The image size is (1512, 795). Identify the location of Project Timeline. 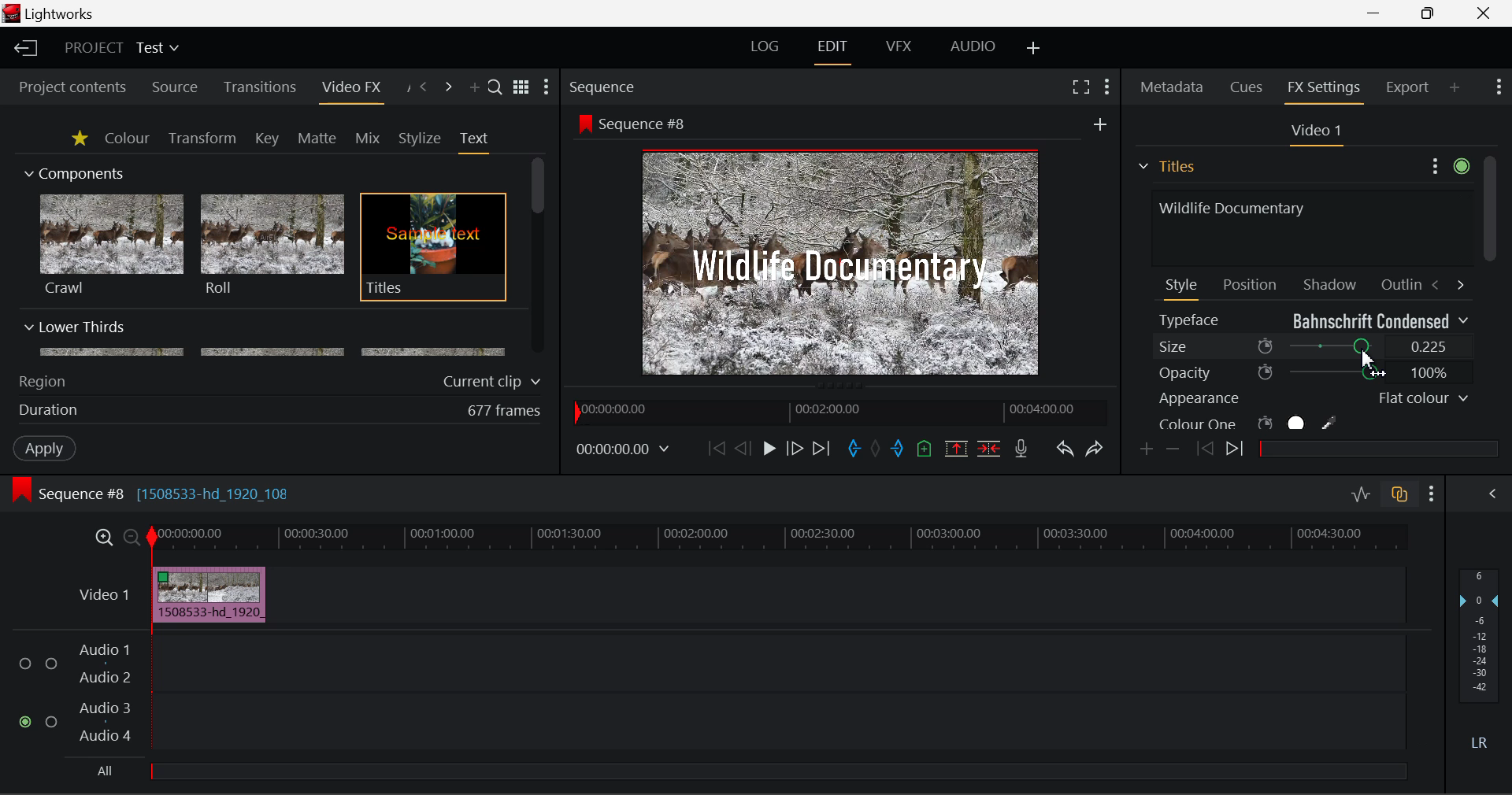
(779, 538).